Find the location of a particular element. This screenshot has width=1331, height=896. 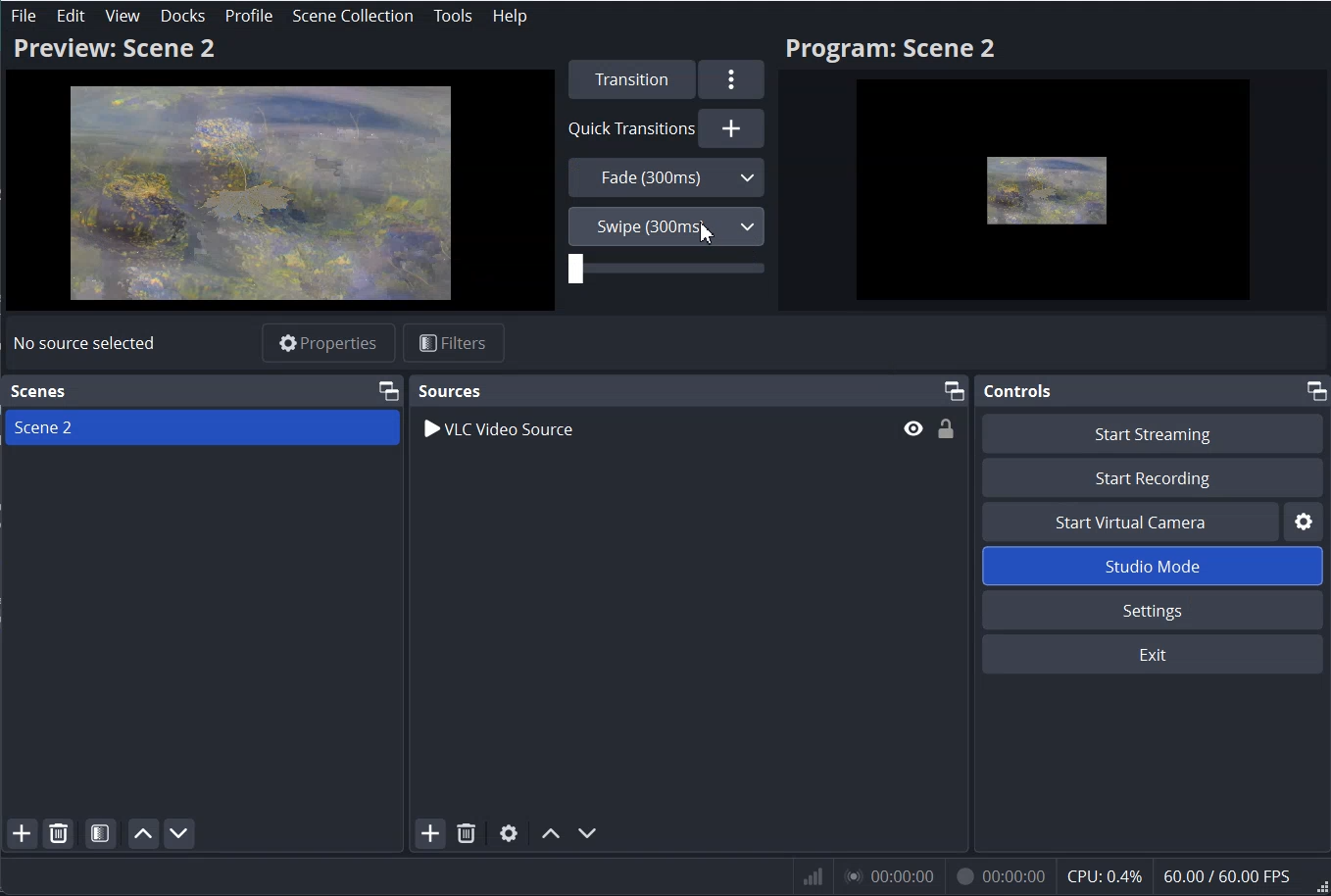

Open Source Properties is located at coordinates (510, 832).